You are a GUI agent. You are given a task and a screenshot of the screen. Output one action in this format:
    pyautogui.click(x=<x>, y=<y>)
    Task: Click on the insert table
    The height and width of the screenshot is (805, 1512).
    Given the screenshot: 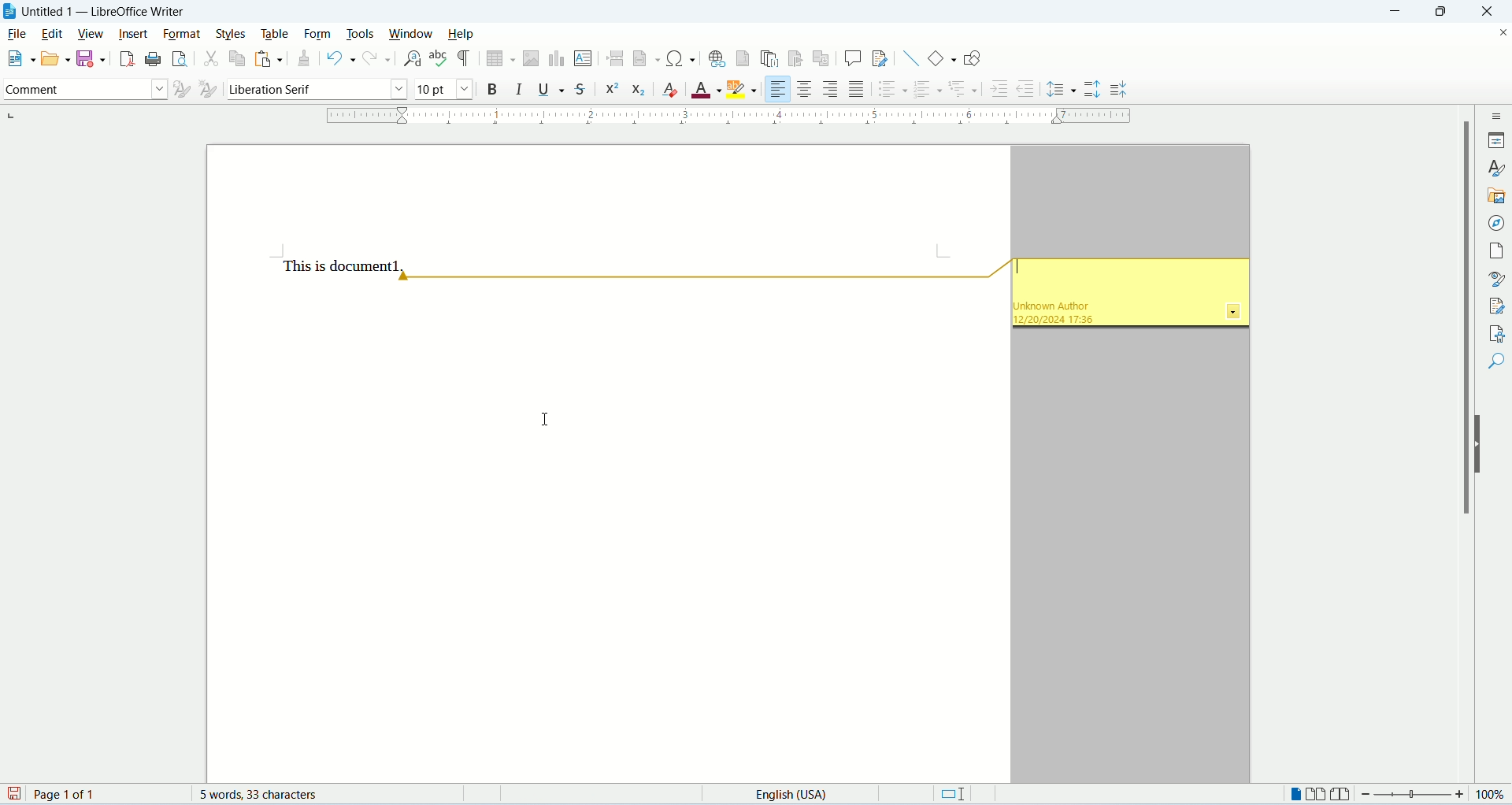 What is the action you would take?
    pyautogui.click(x=502, y=58)
    